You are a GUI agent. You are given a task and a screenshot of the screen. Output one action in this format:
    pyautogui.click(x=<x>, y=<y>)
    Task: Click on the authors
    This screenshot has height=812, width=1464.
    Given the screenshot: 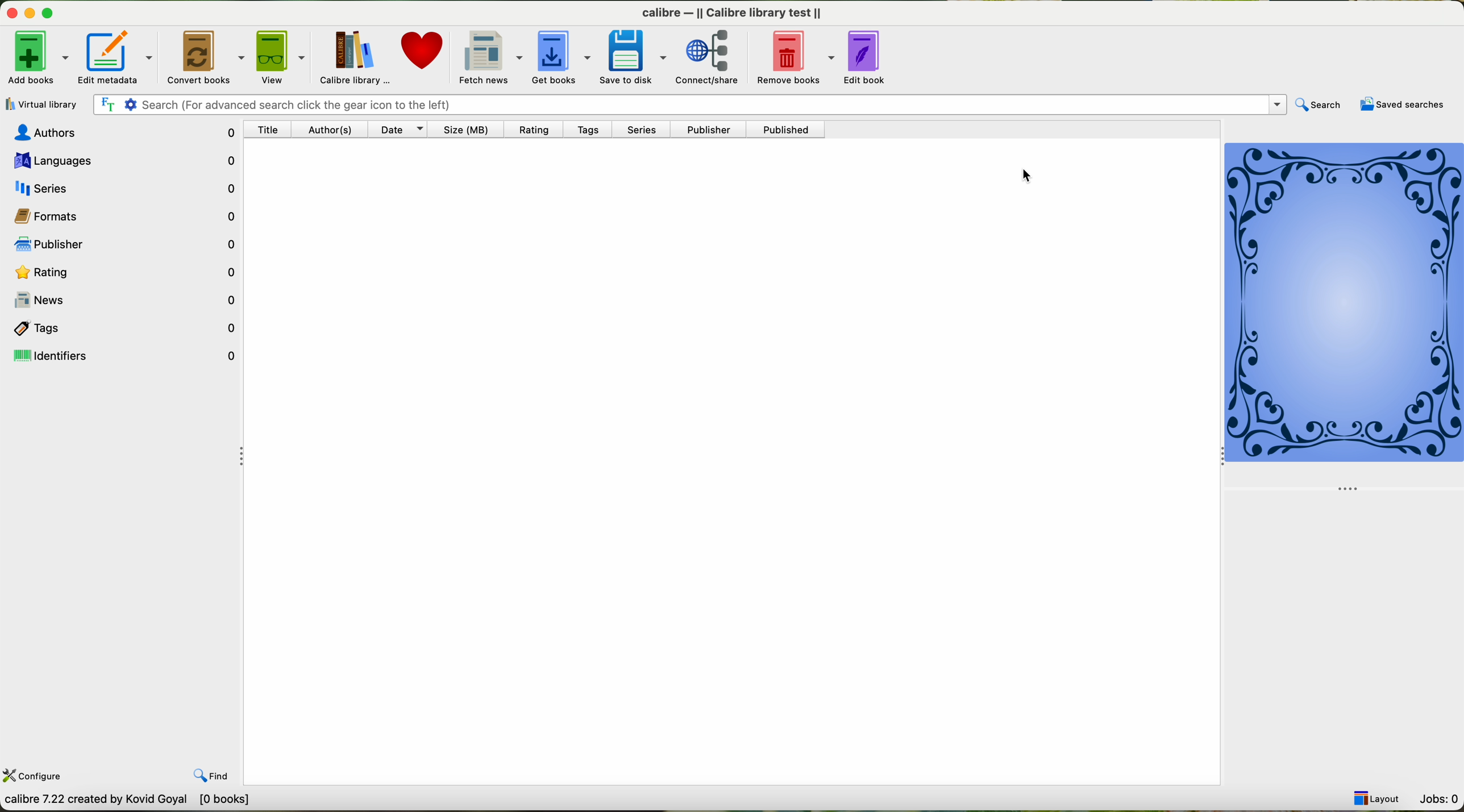 What is the action you would take?
    pyautogui.click(x=124, y=132)
    